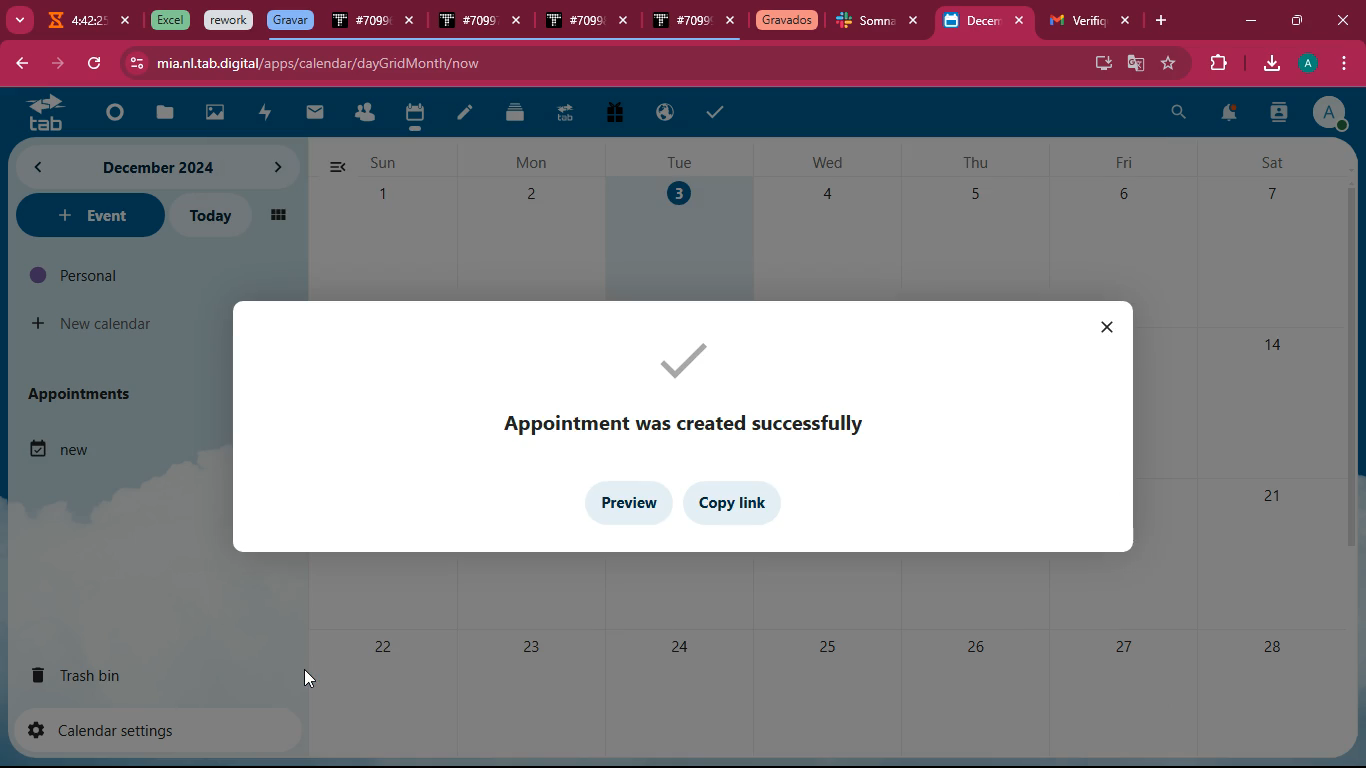 Image resolution: width=1366 pixels, height=768 pixels. I want to click on new calendar, so click(94, 324).